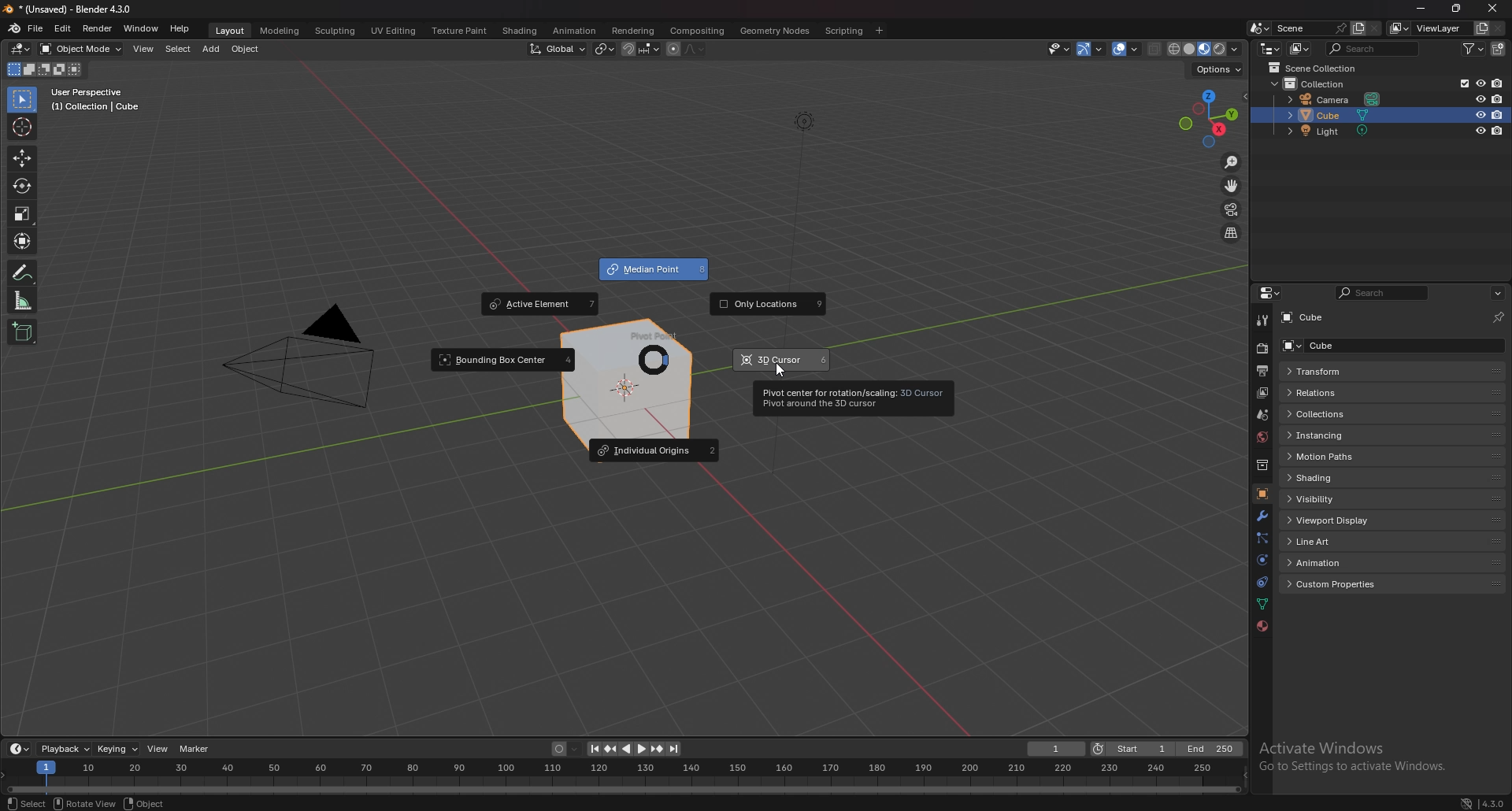  Describe the element at coordinates (1336, 543) in the screenshot. I see `line art` at that location.